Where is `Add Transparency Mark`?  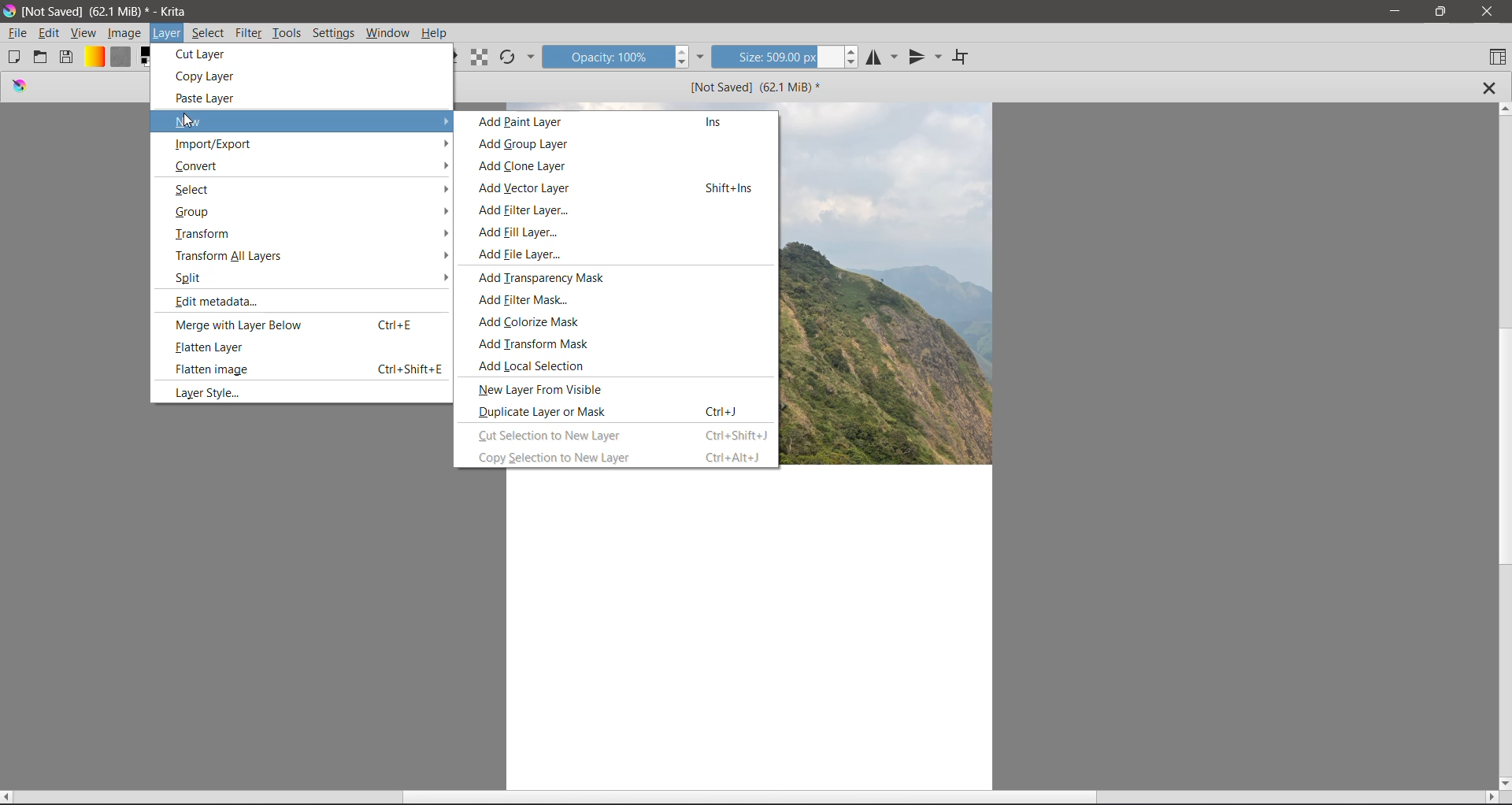
Add Transparency Mark is located at coordinates (549, 277).